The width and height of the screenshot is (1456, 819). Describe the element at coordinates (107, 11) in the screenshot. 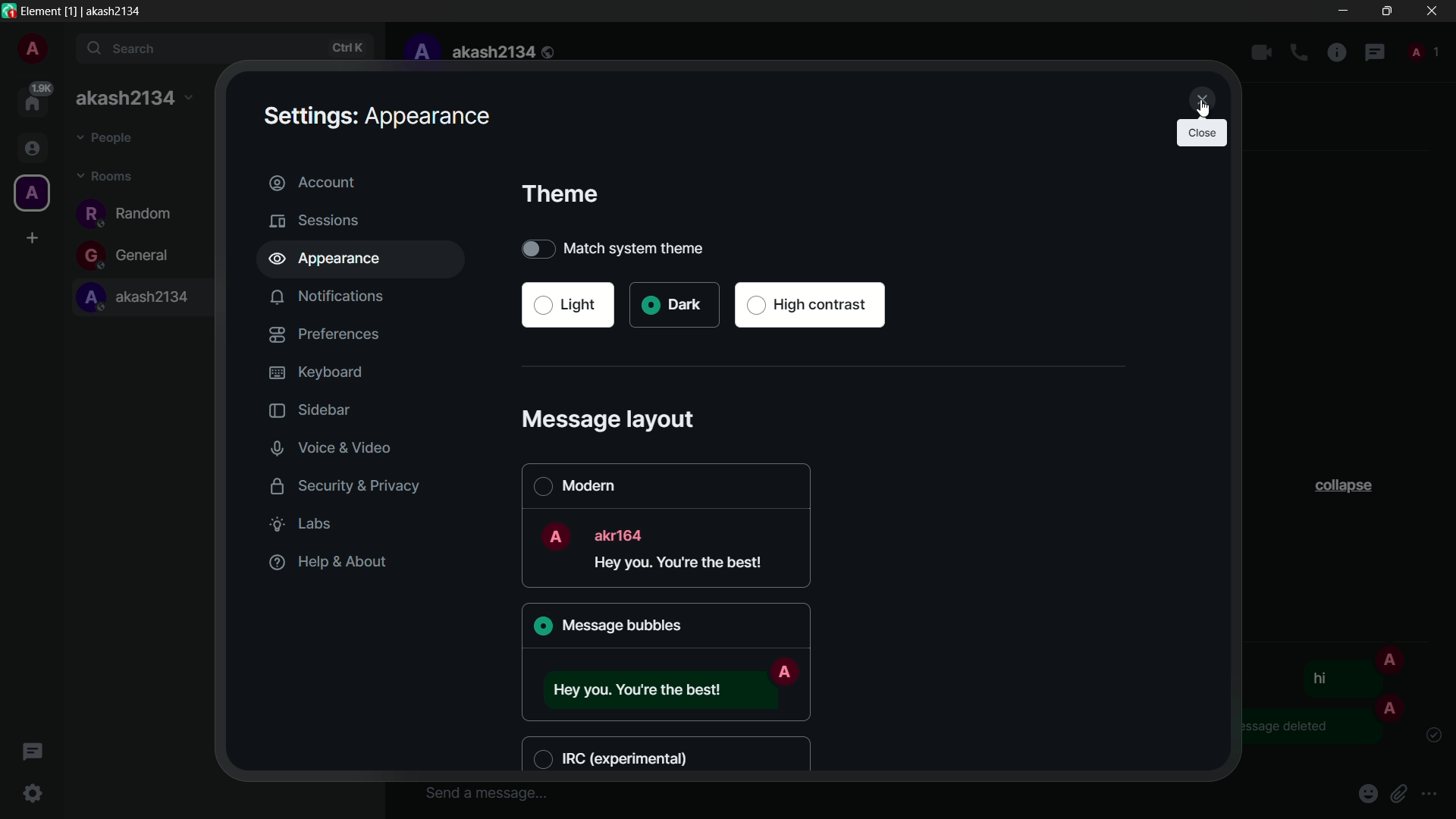

I see `[1] | akash2134` at that location.